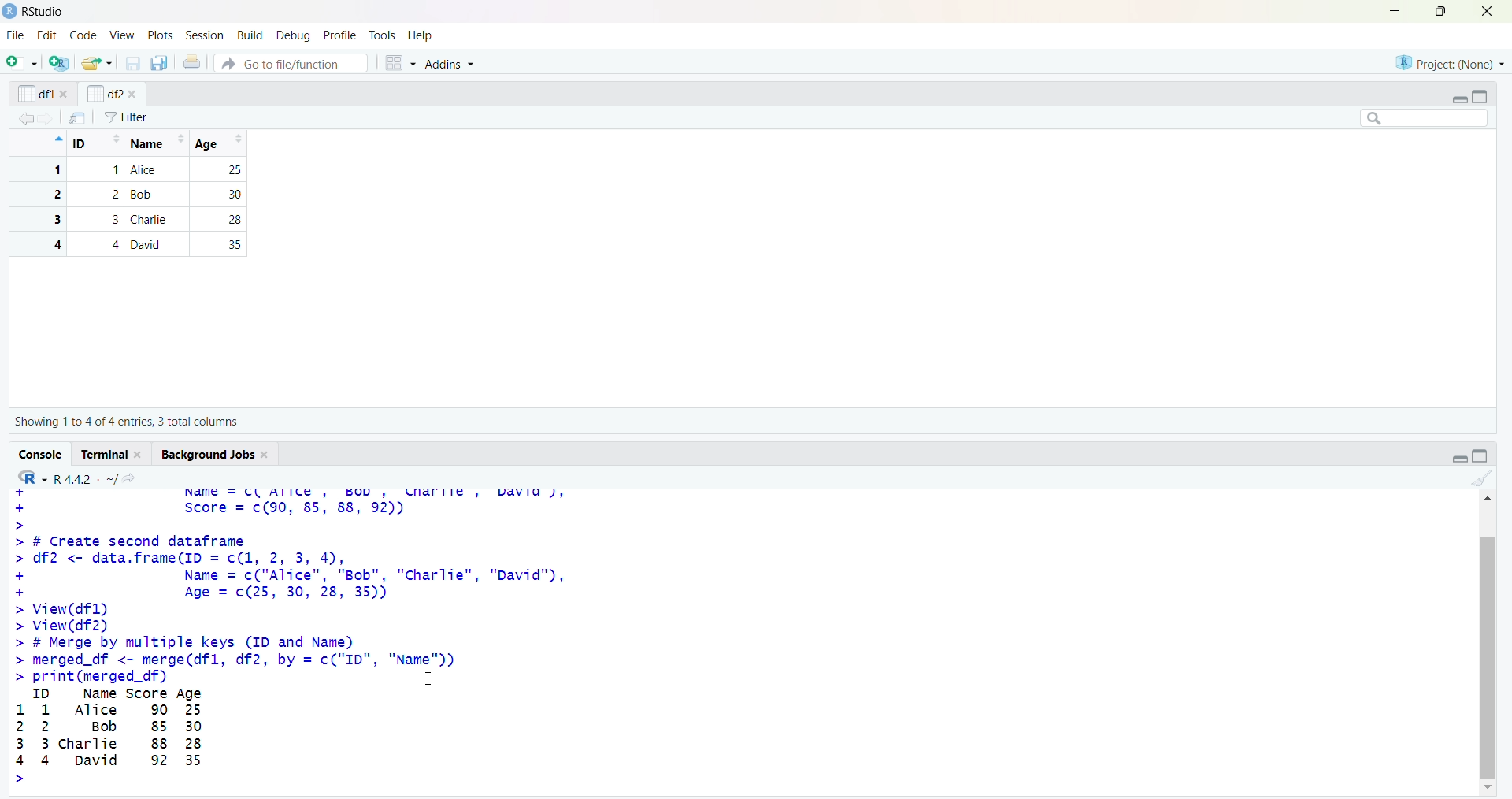 Image resolution: width=1512 pixels, height=799 pixels. I want to click on add R file, so click(60, 63).